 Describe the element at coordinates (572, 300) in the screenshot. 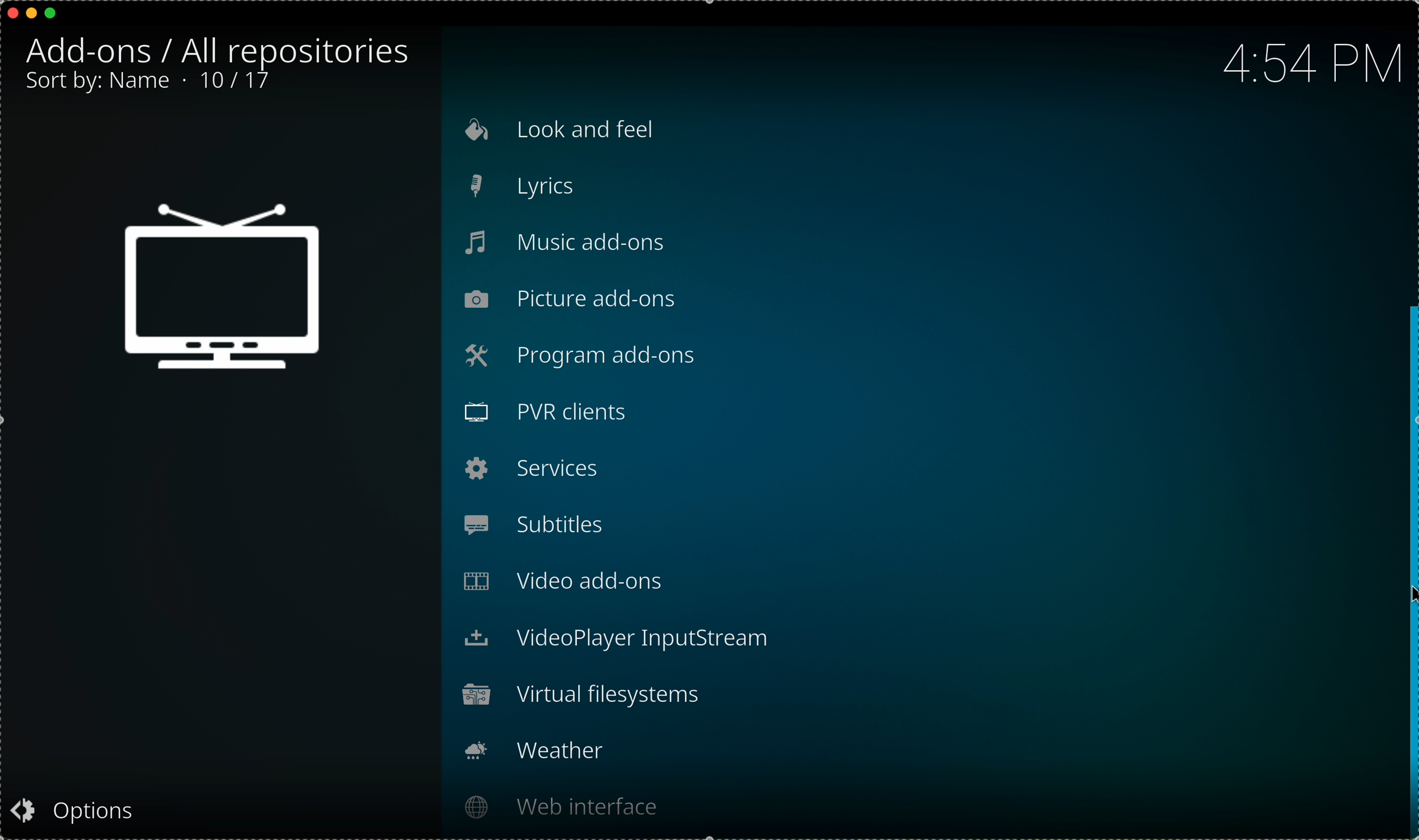

I see `picture add-ons` at that location.